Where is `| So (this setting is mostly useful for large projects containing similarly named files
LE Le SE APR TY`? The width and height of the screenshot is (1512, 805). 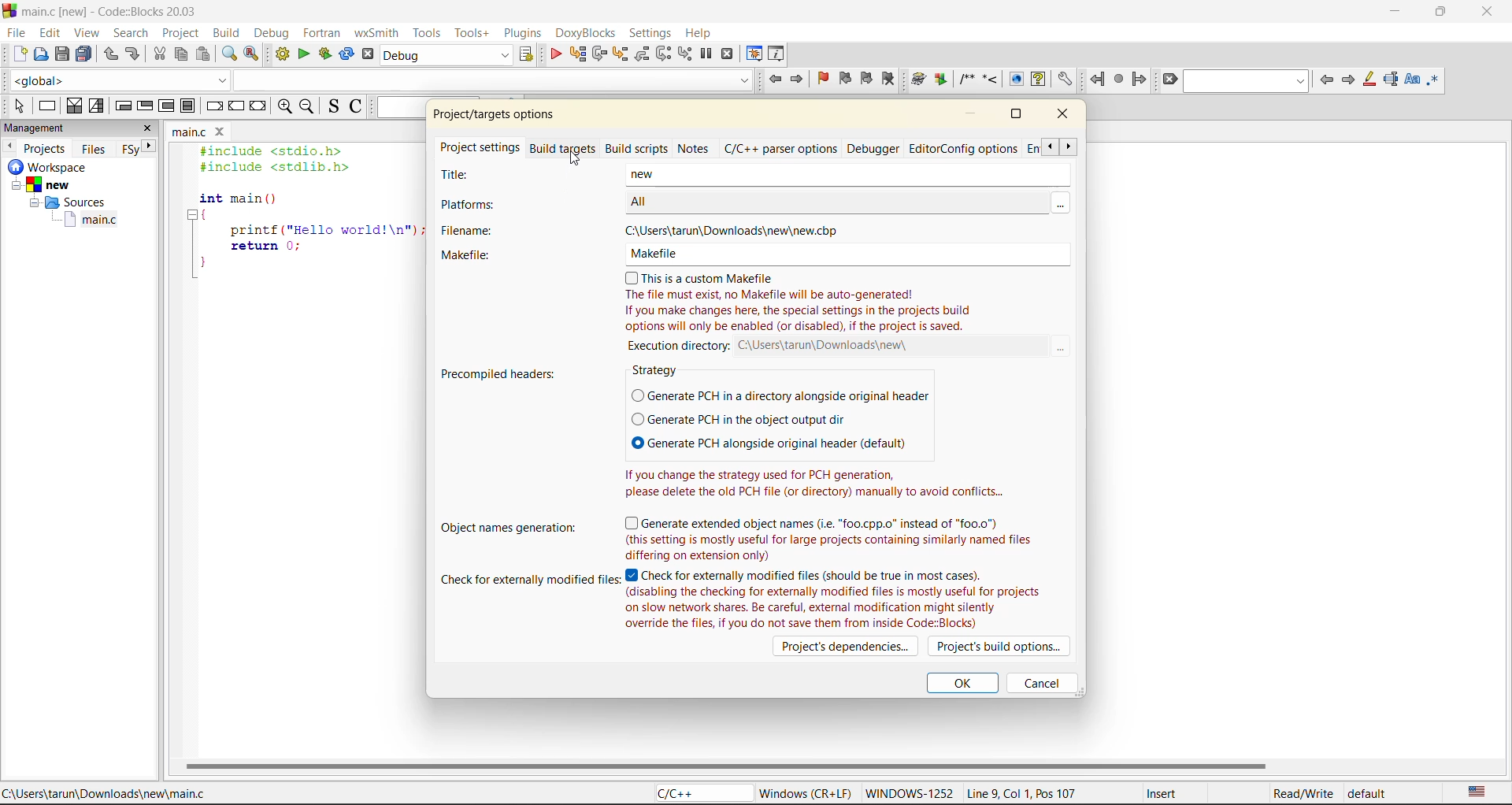
| So (this setting is mostly useful for large projects containing similarly named files
LE Le SE APR TY is located at coordinates (828, 547).